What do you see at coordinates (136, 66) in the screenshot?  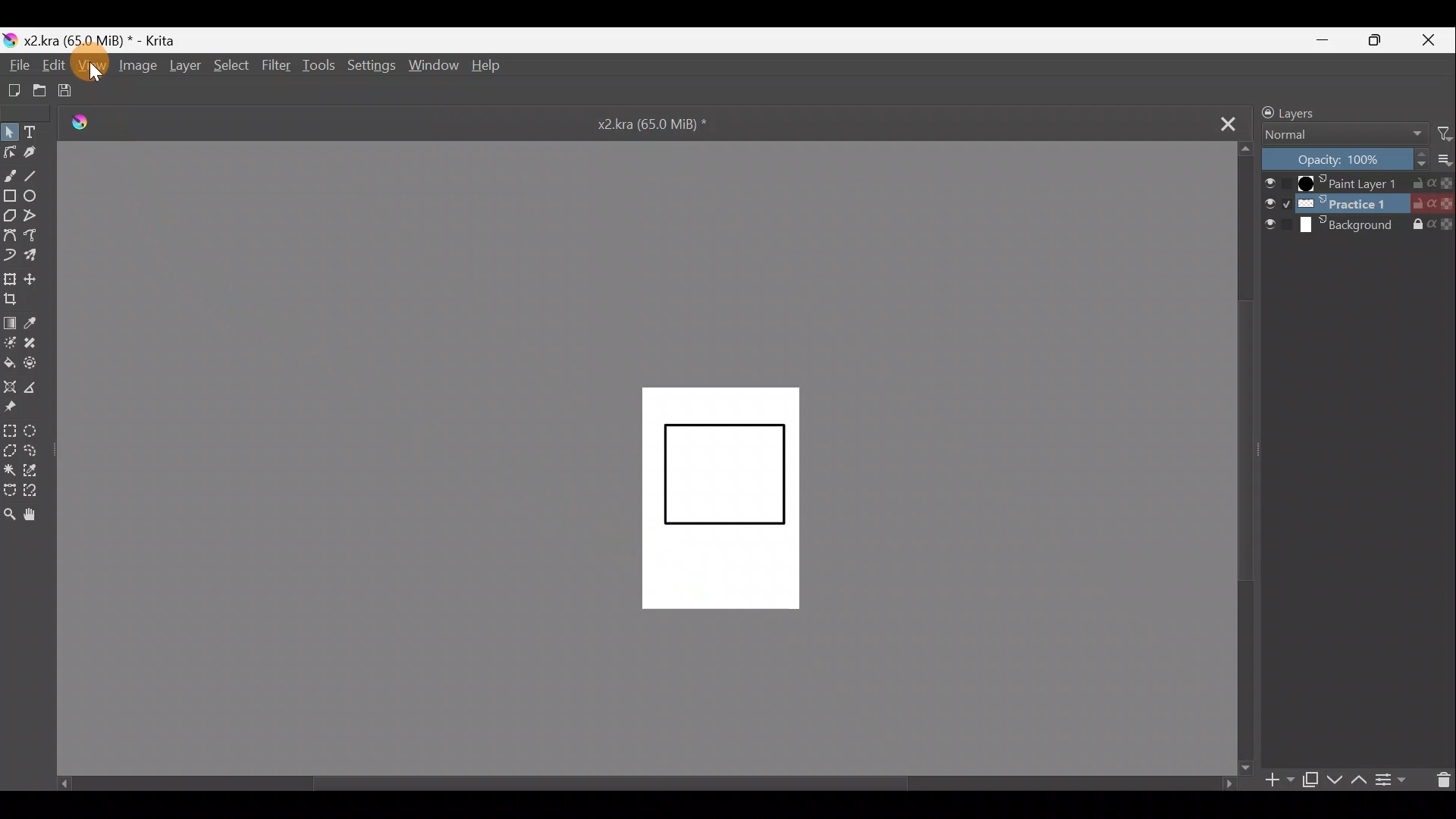 I see `Image` at bounding box center [136, 66].